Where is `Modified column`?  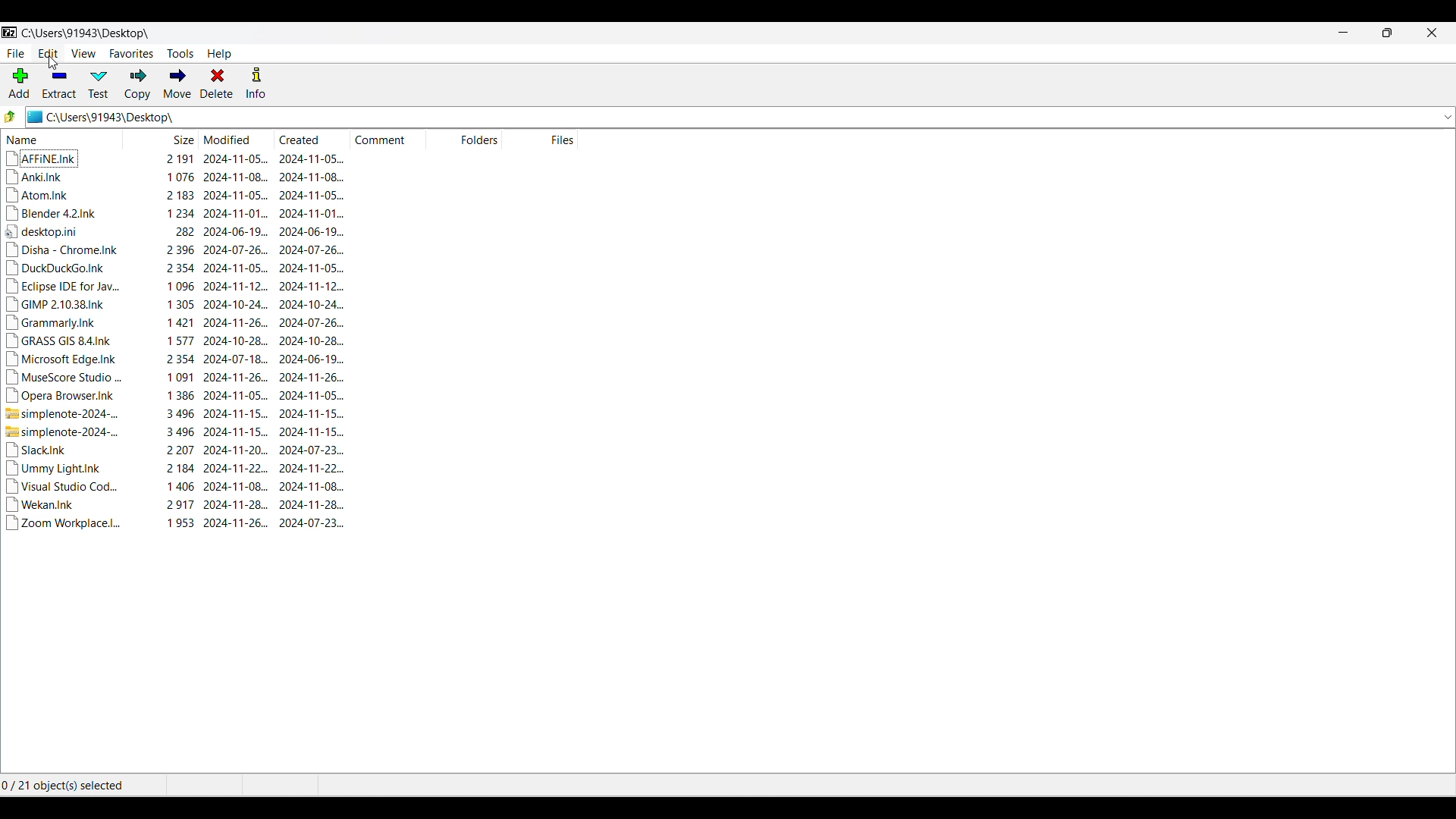
Modified column is located at coordinates (237, 139).